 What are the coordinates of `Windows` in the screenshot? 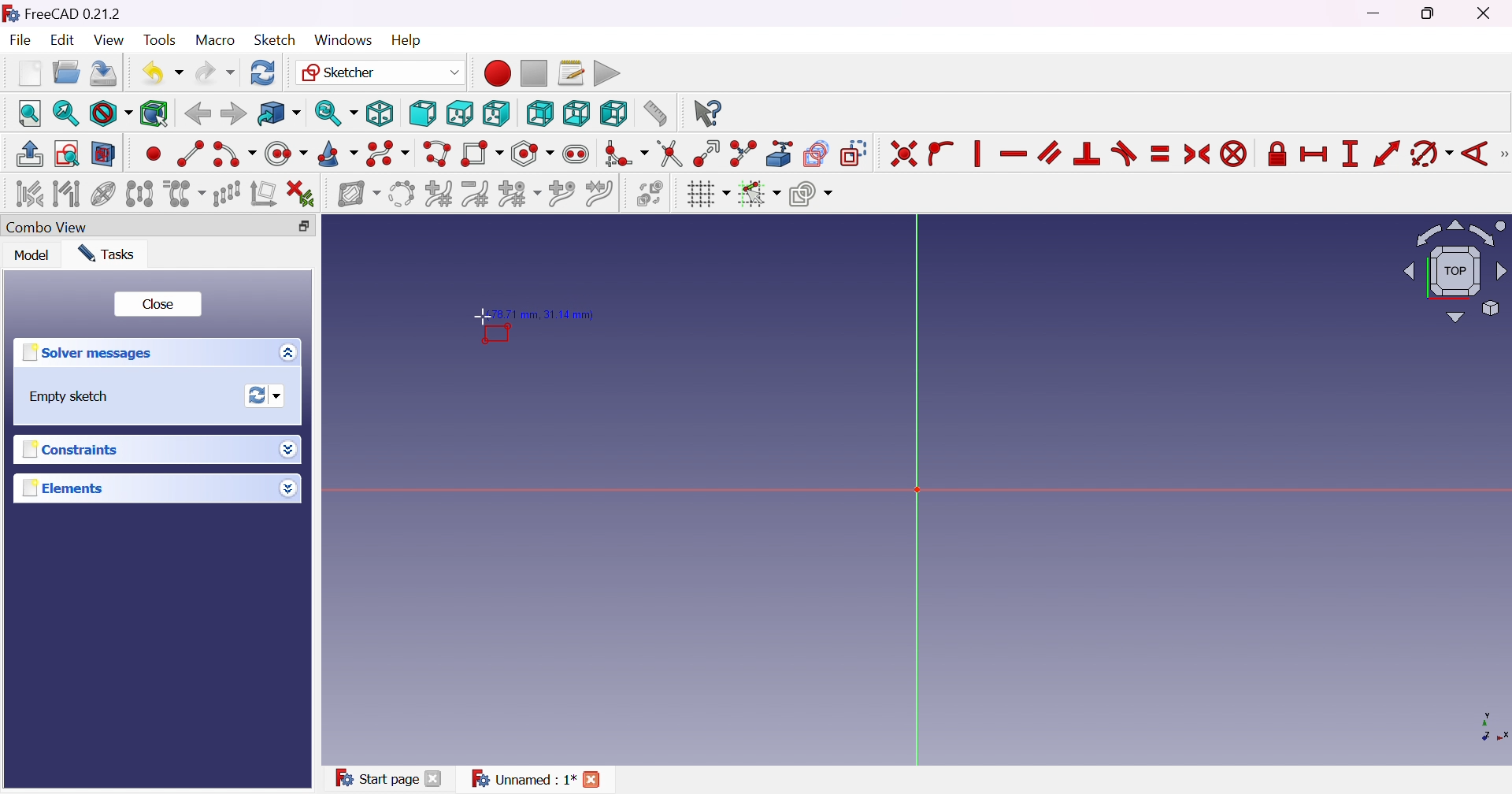 It's located at (343, 40).